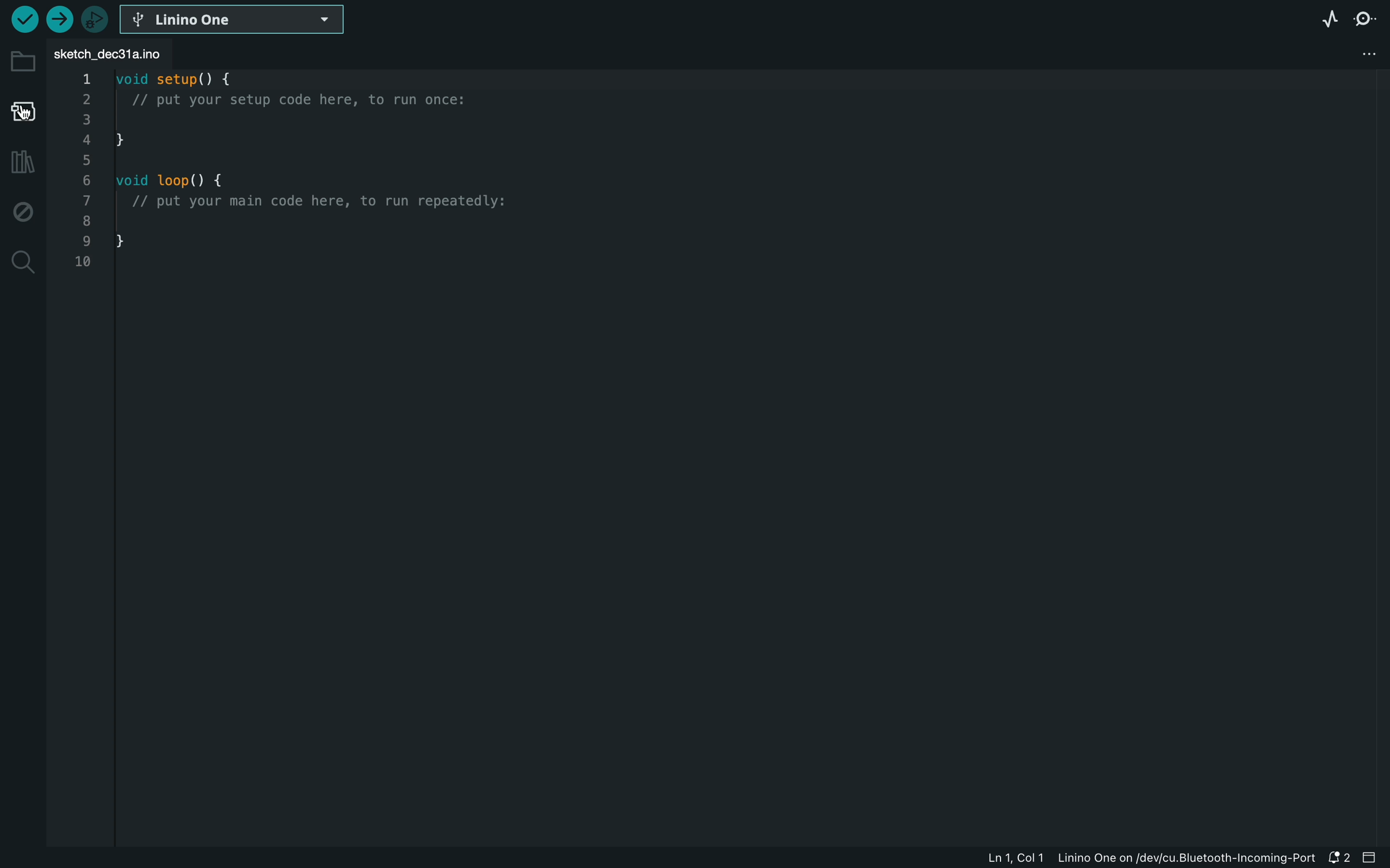  What do you see at coordinates (25, 63) in the screenshot?
I see `folder` at bounding box center [25, 63].